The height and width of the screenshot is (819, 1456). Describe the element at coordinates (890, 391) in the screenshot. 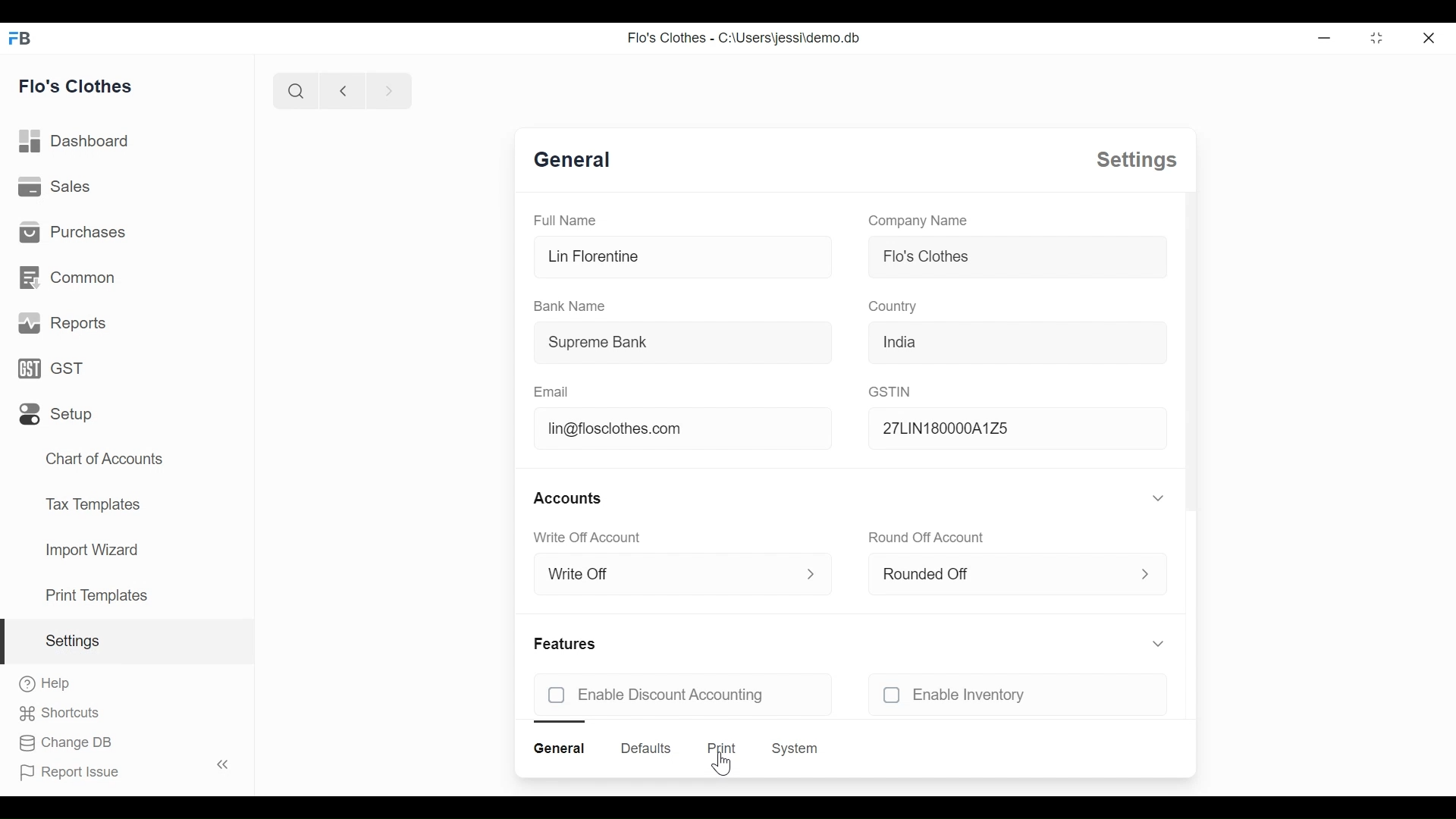

I see `GSTIN` at that location.